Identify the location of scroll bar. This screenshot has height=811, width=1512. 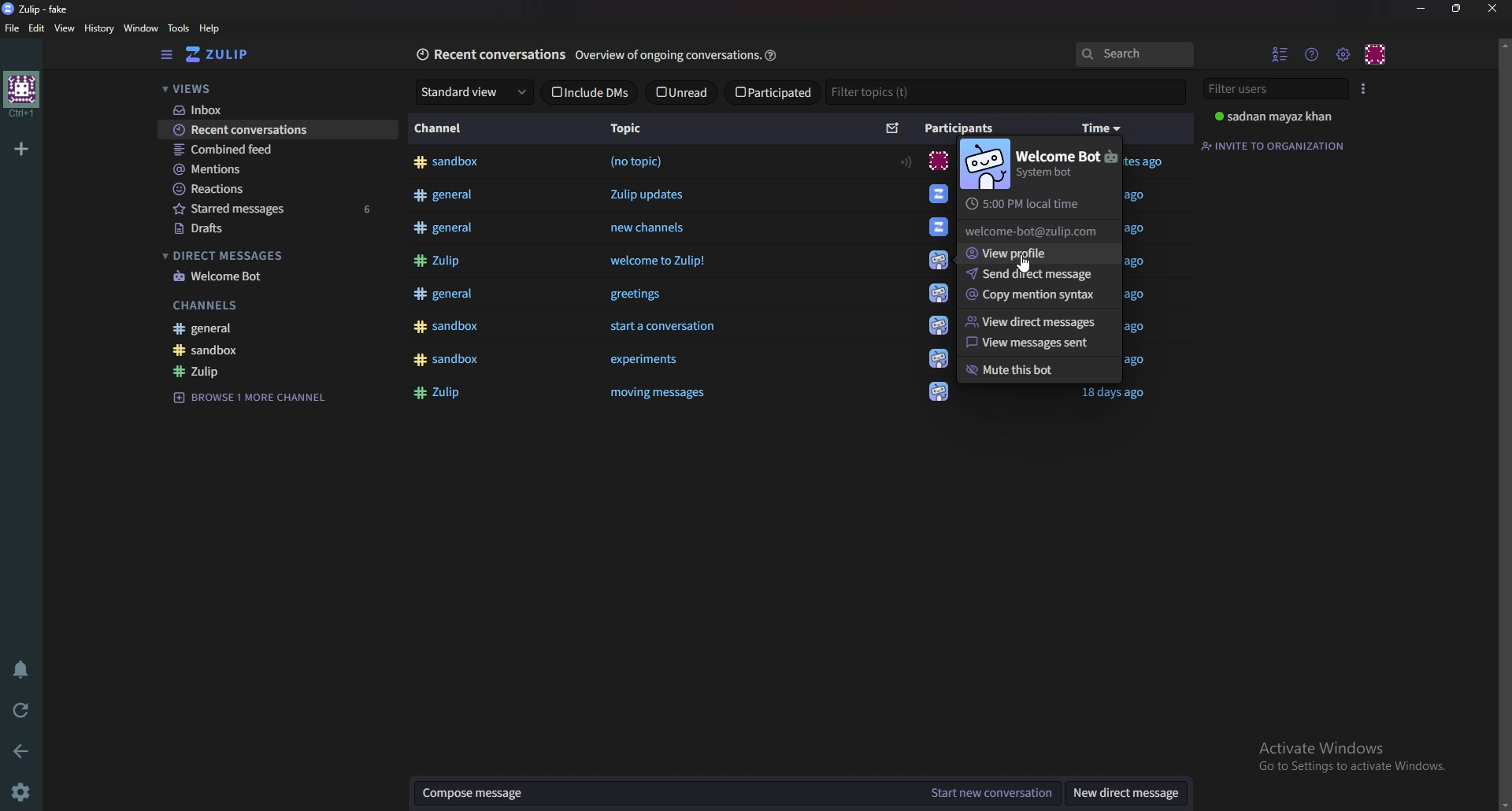
(1504, 422).